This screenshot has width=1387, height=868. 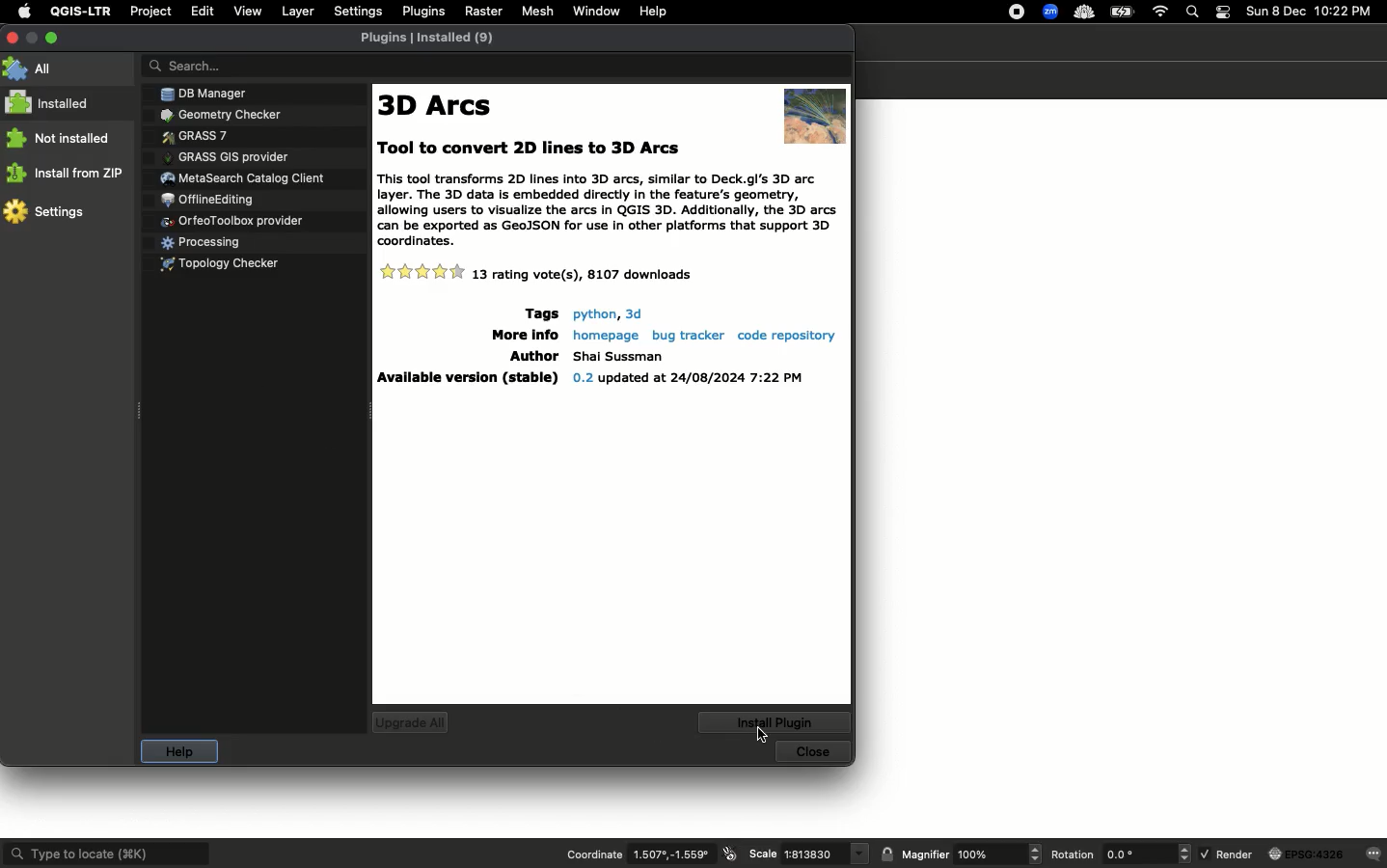 What do you see at coordinates (493, 67) in the screenshot?
I see `Search` at bounding box center [493, 67].